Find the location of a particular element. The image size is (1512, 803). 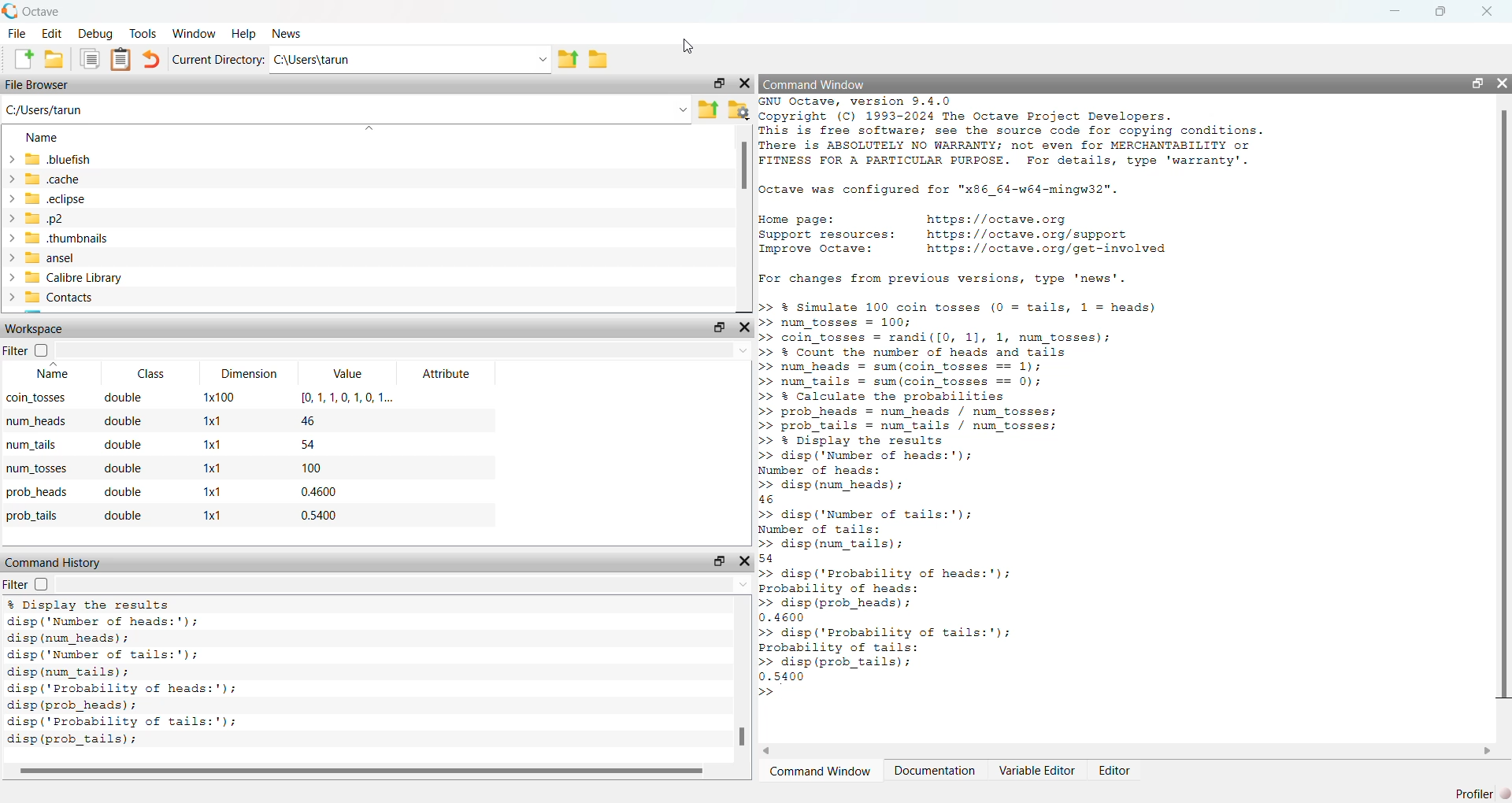

46 is located at coordinates (308, 420).